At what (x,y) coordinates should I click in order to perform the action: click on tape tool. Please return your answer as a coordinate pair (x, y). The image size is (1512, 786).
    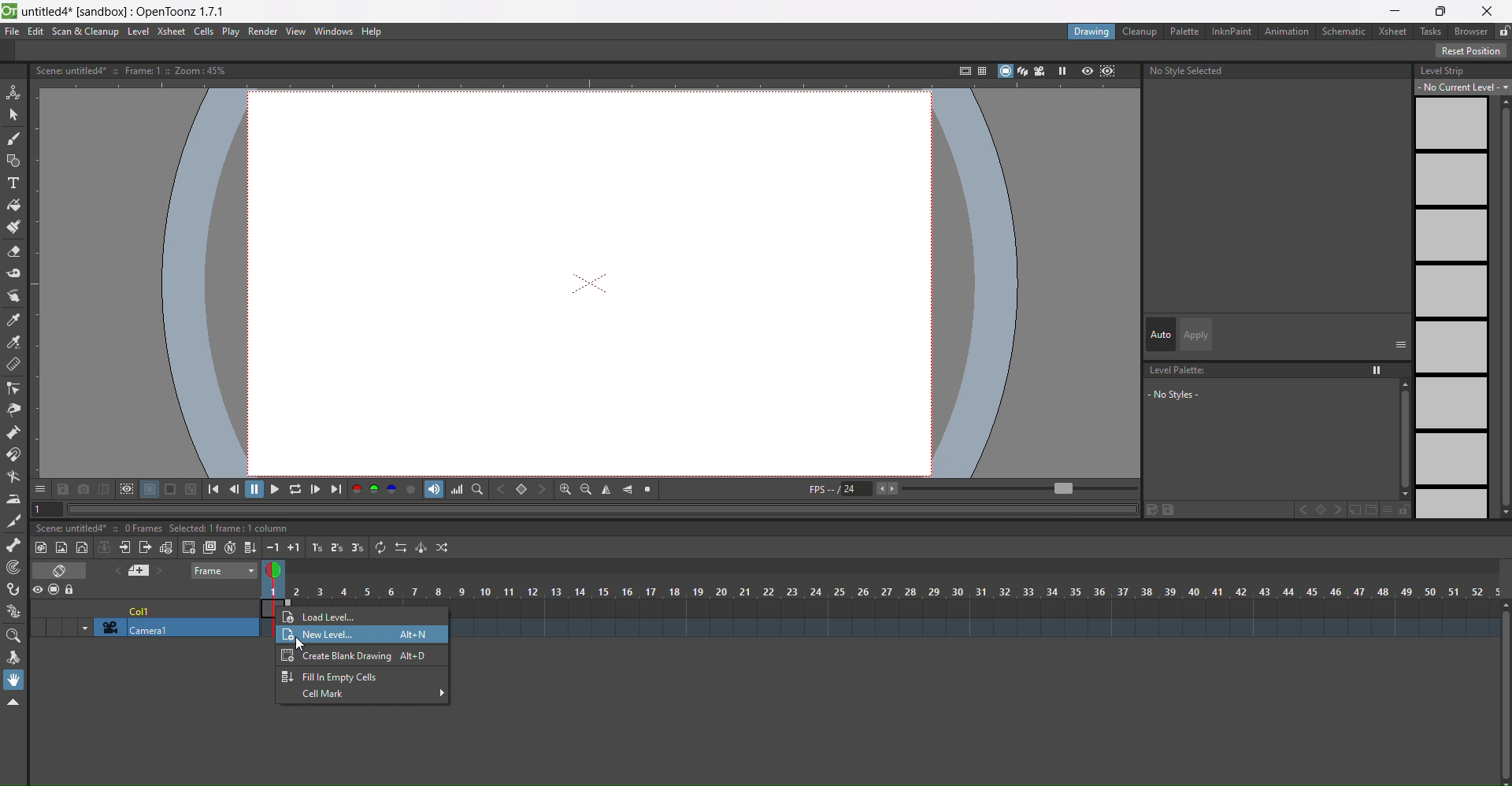
    Looking at the image, I should click on (14, 273).